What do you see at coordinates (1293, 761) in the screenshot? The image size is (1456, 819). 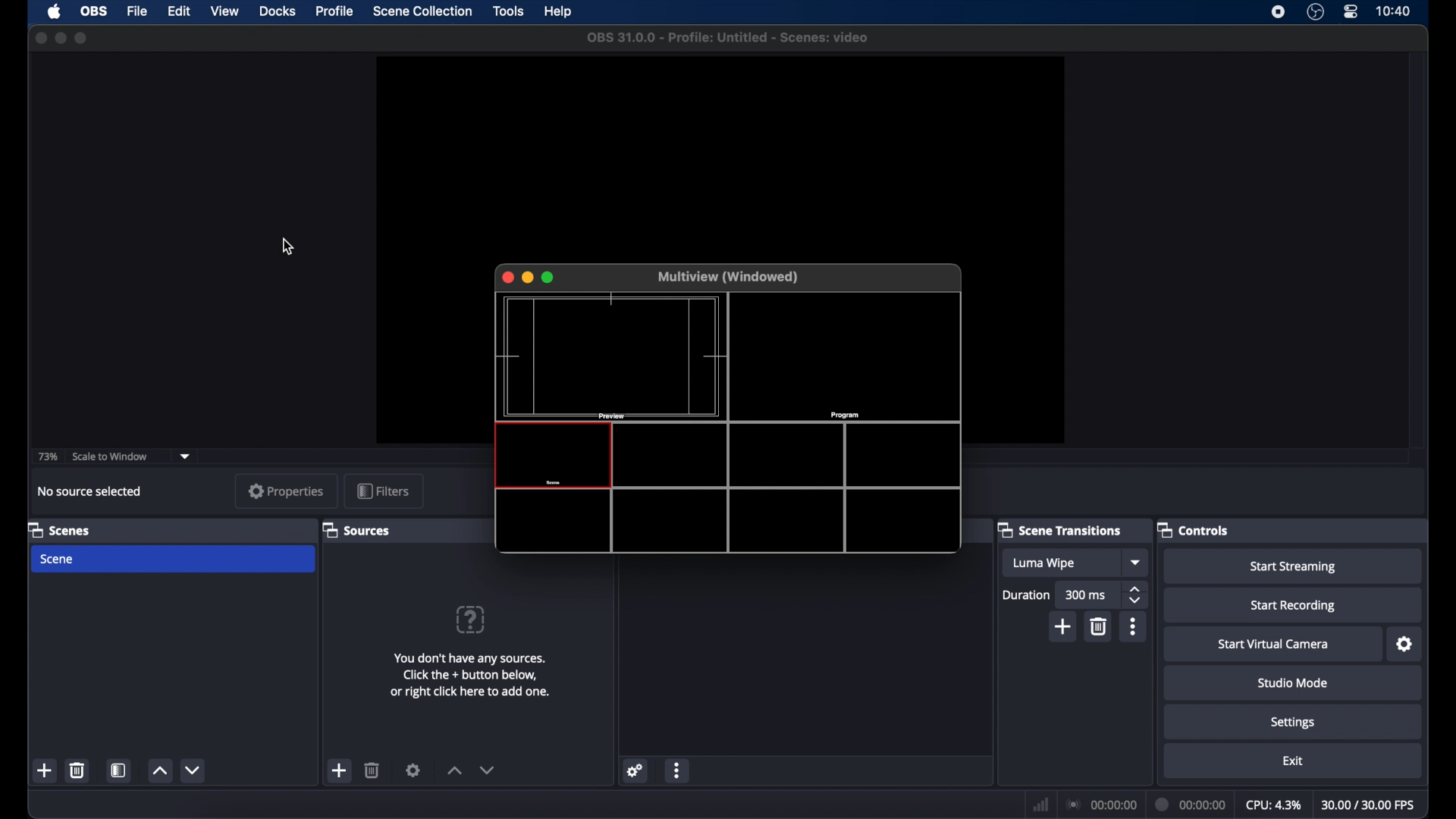 I see `exit` at bounding box center [1293, 761].